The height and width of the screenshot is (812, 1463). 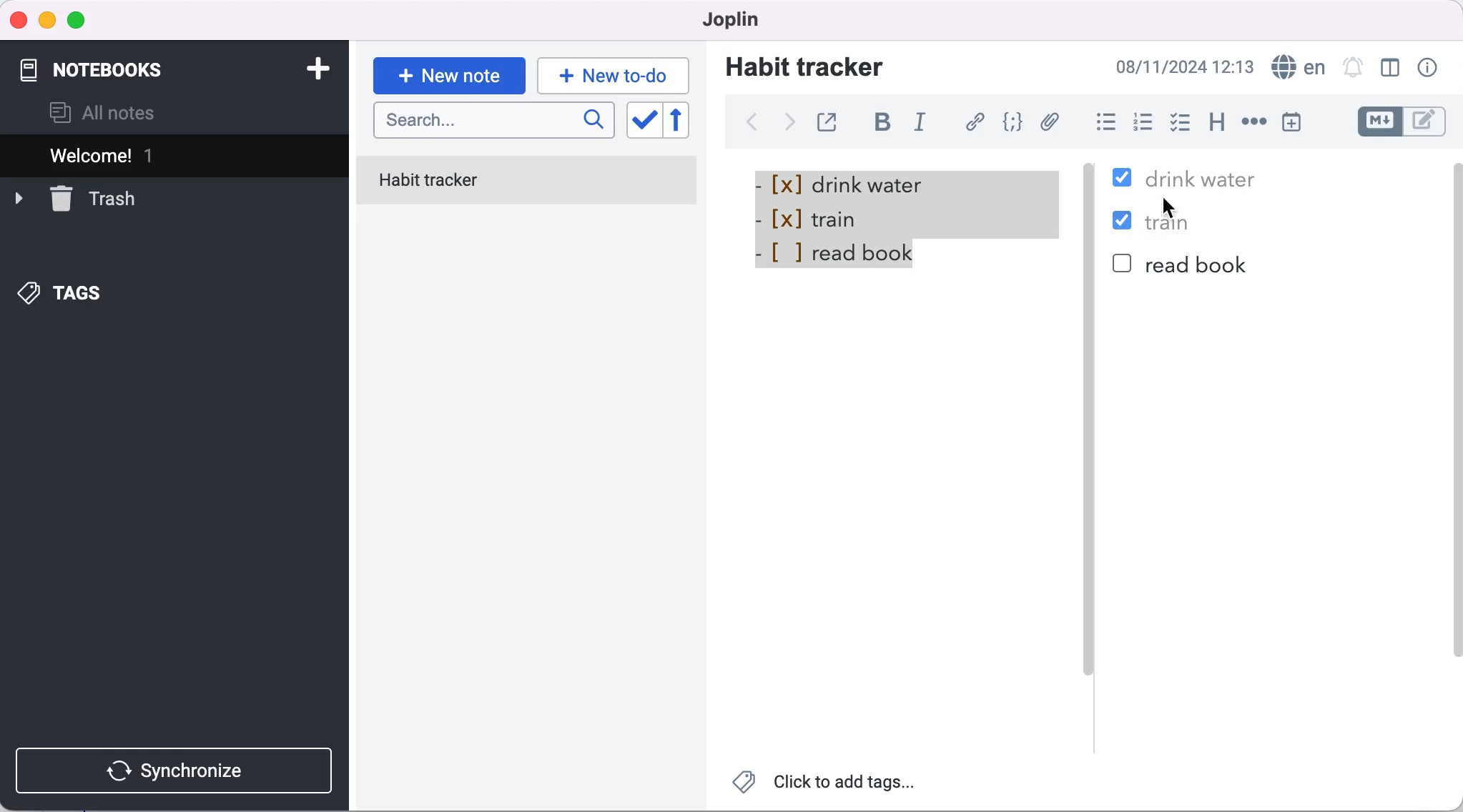 I want to click on typing, so click(x=614, y=75).